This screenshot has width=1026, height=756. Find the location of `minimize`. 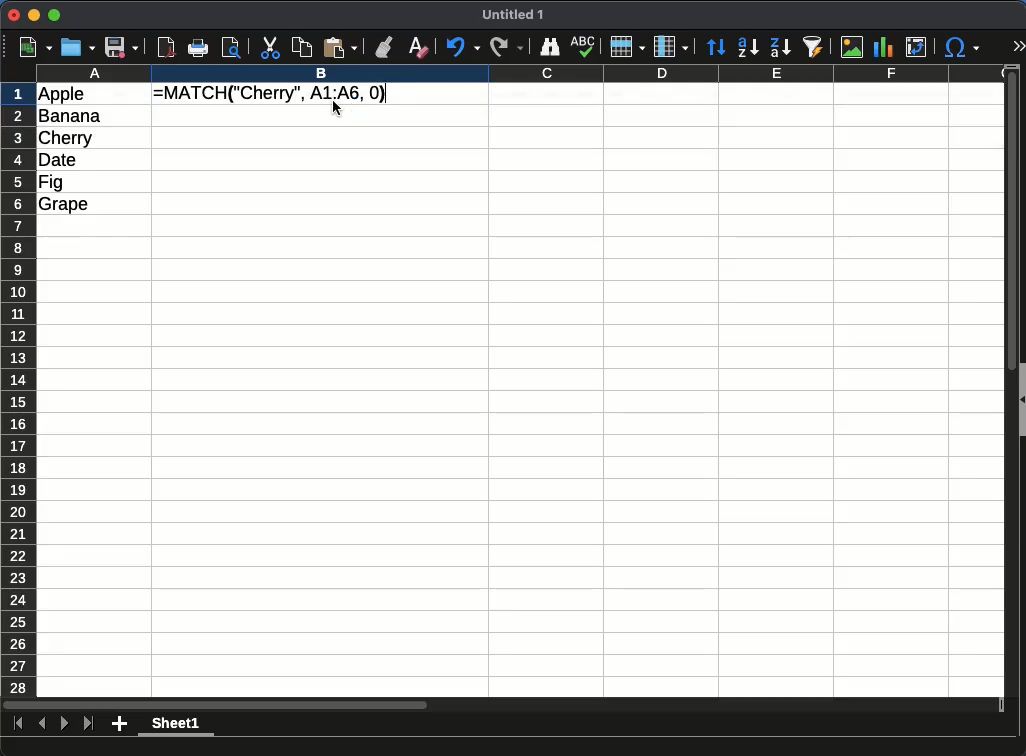

minimize is located at coordinates (35, 14).